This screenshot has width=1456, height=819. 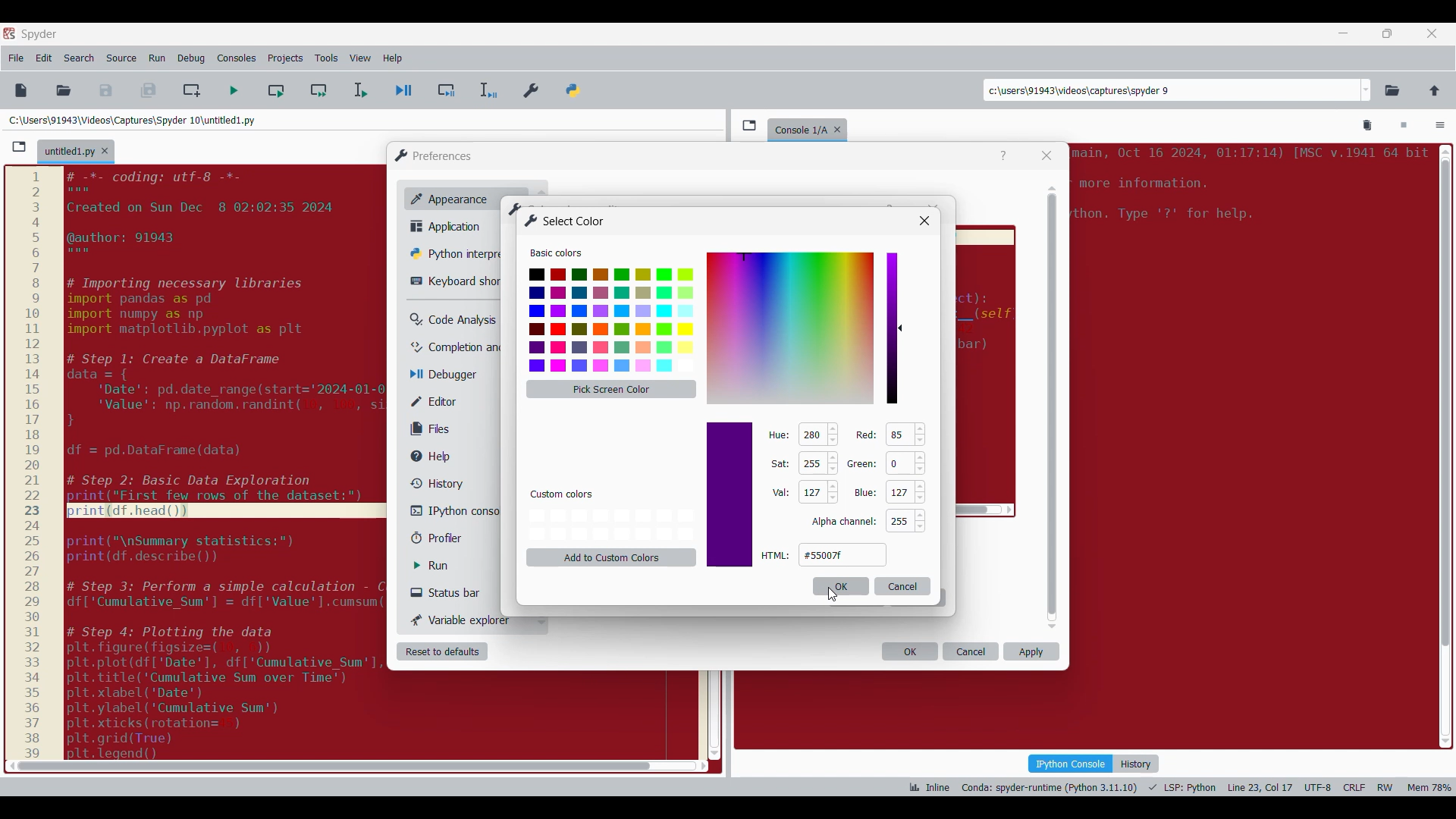 What do you see at coordinates (434, 483) in the screenshot?
I see `History` at bounding box center [434, 483].